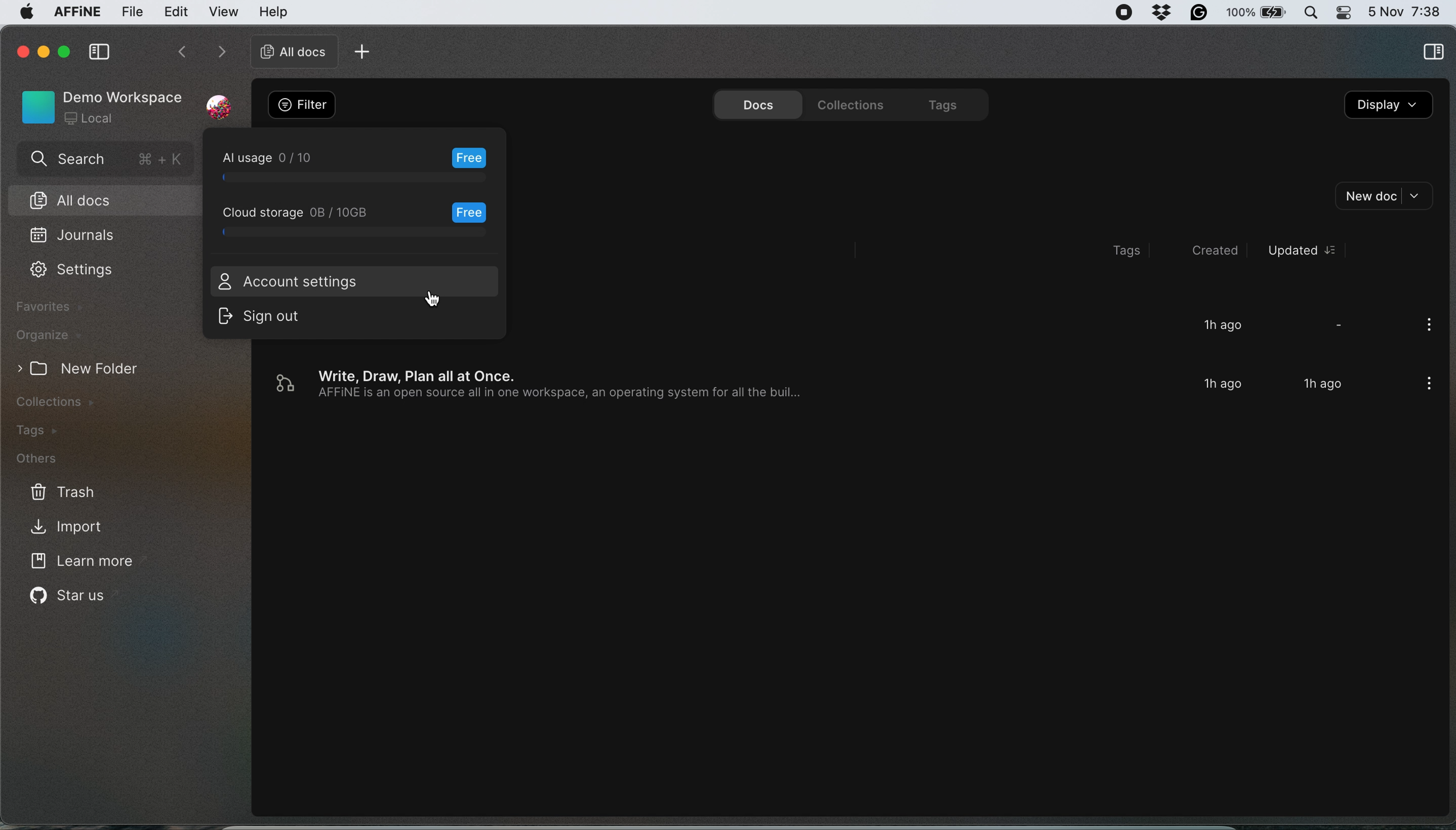  What do you see at coordinates (52, 307) in the screenshot?
I see `favourites` at bounding box center [52, 307].